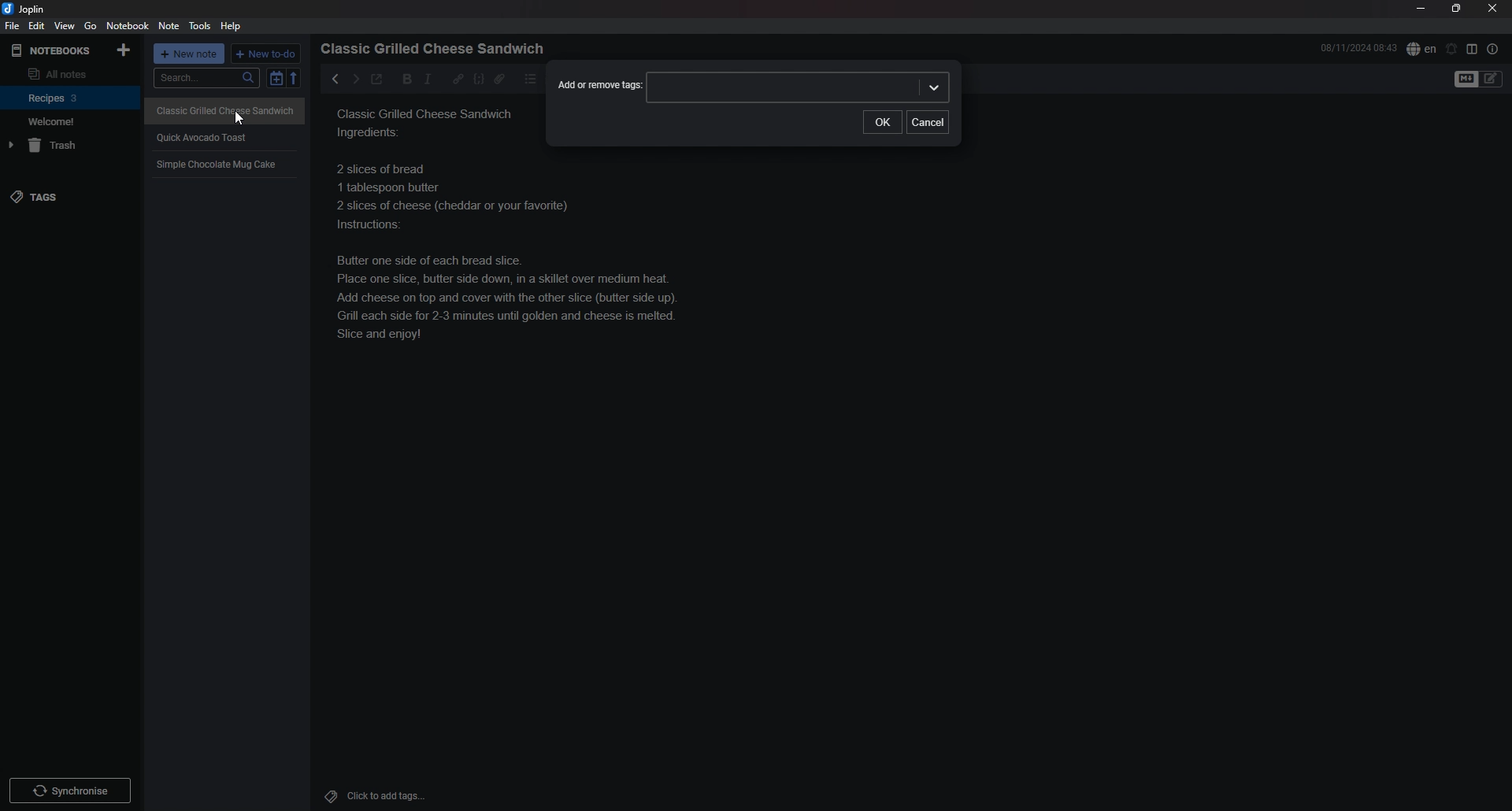  Describe the element at coordinates (335, 79) in the screenshot. I see `previous` at that location.